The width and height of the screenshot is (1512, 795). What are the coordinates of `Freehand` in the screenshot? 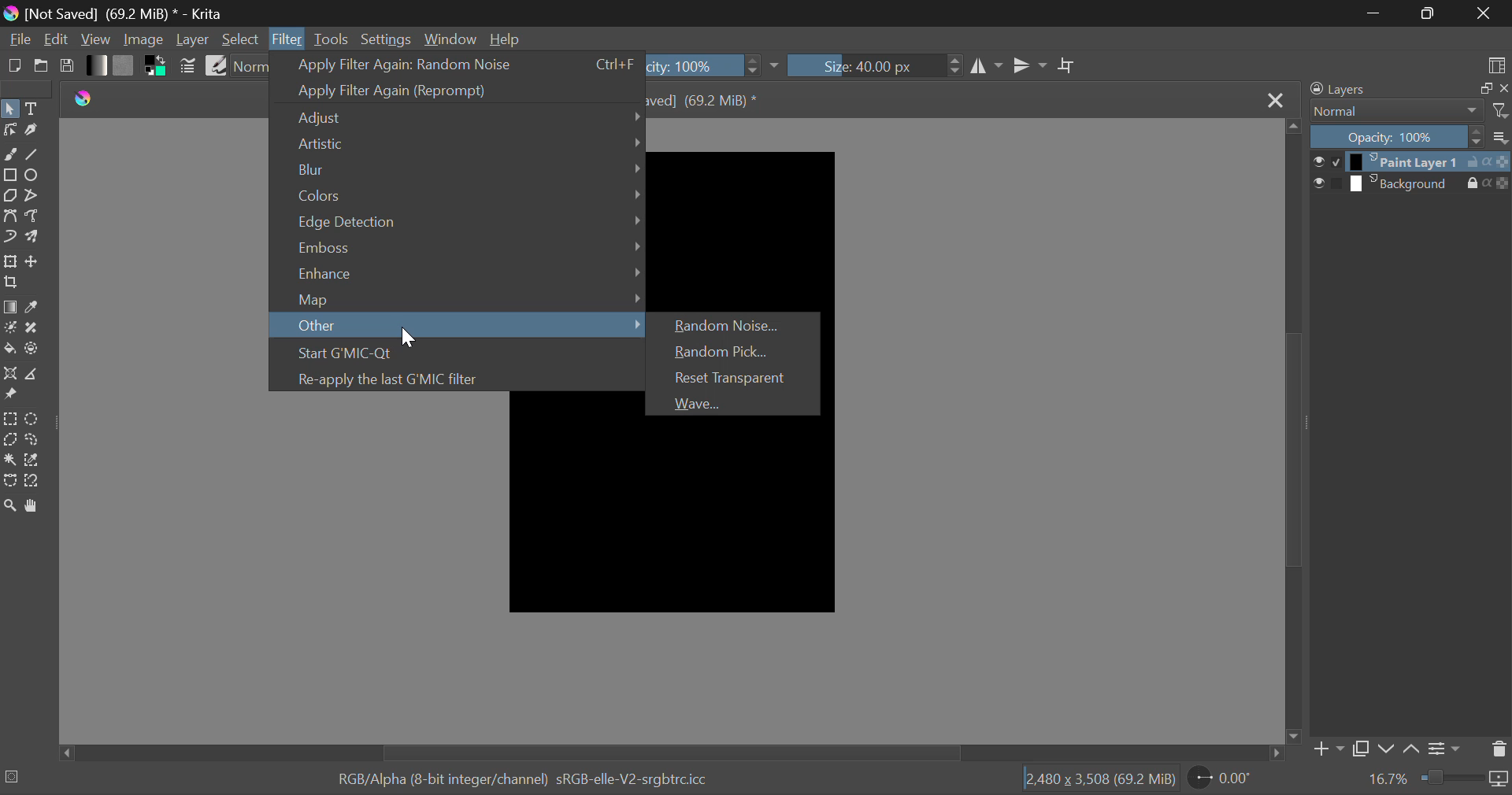 It's located at (9, 154).